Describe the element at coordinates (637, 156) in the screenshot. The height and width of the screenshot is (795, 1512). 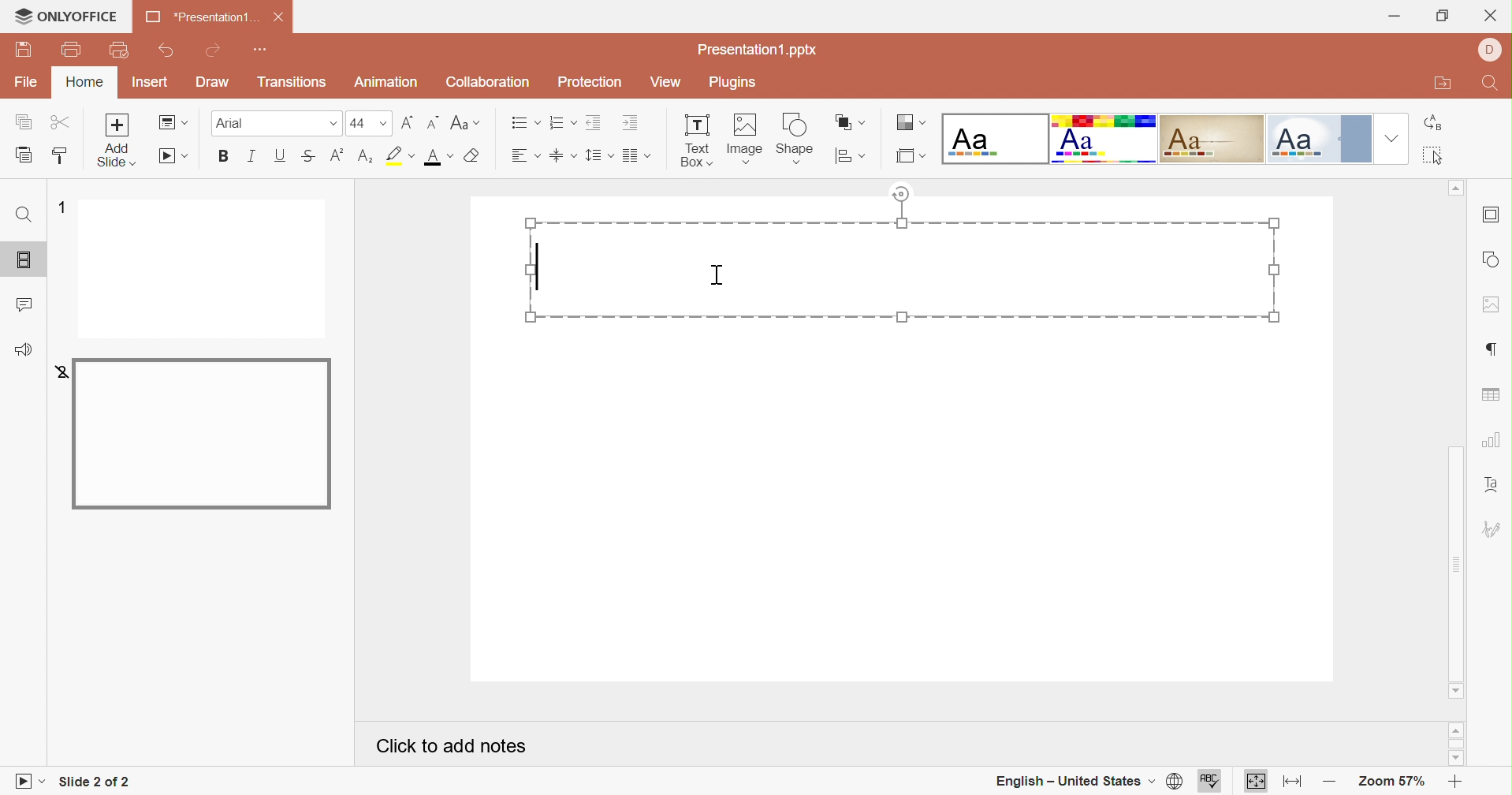
I see `Insert columns` at that location.